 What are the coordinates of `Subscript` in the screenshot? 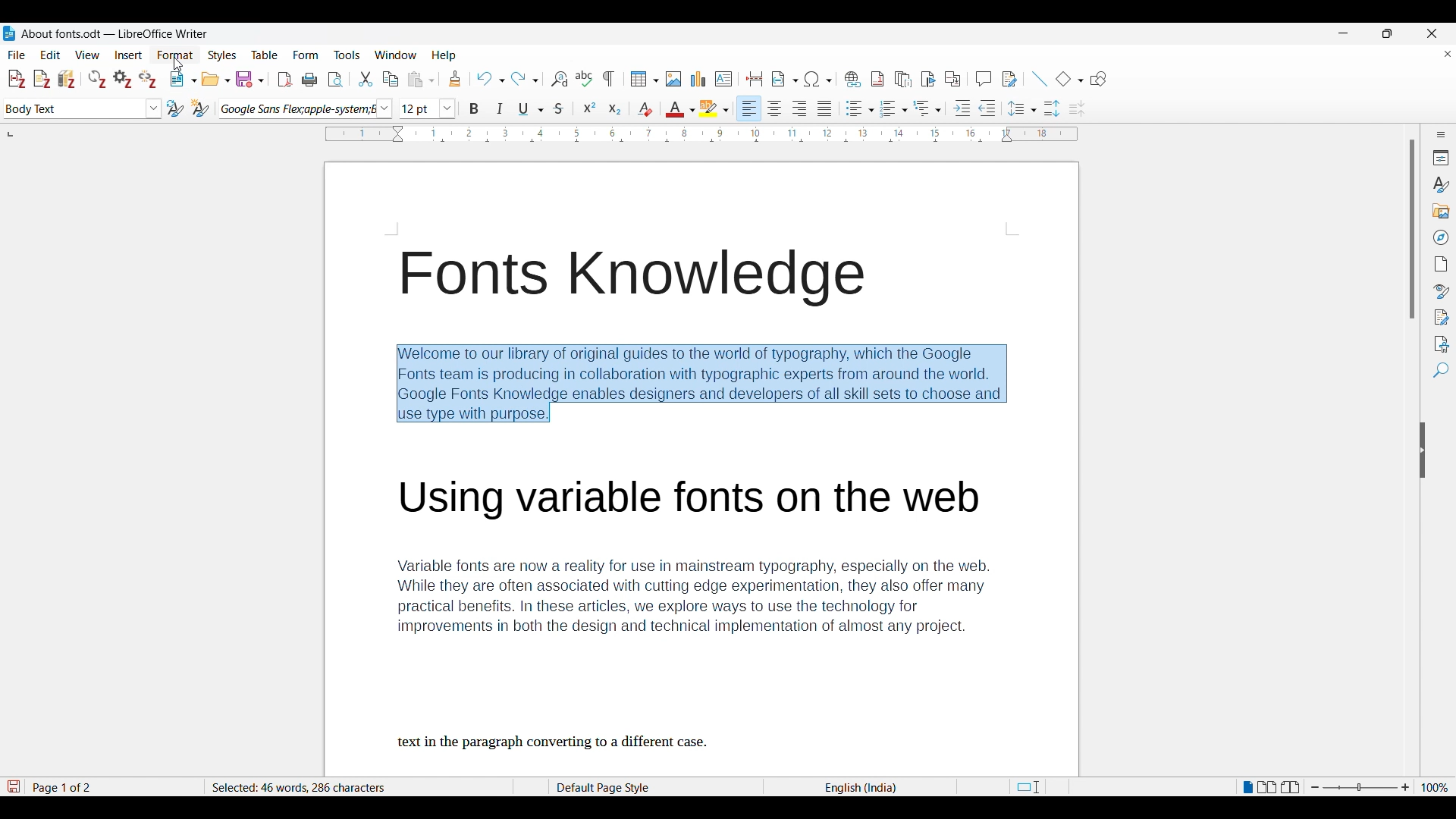 It's located at (615, 108).